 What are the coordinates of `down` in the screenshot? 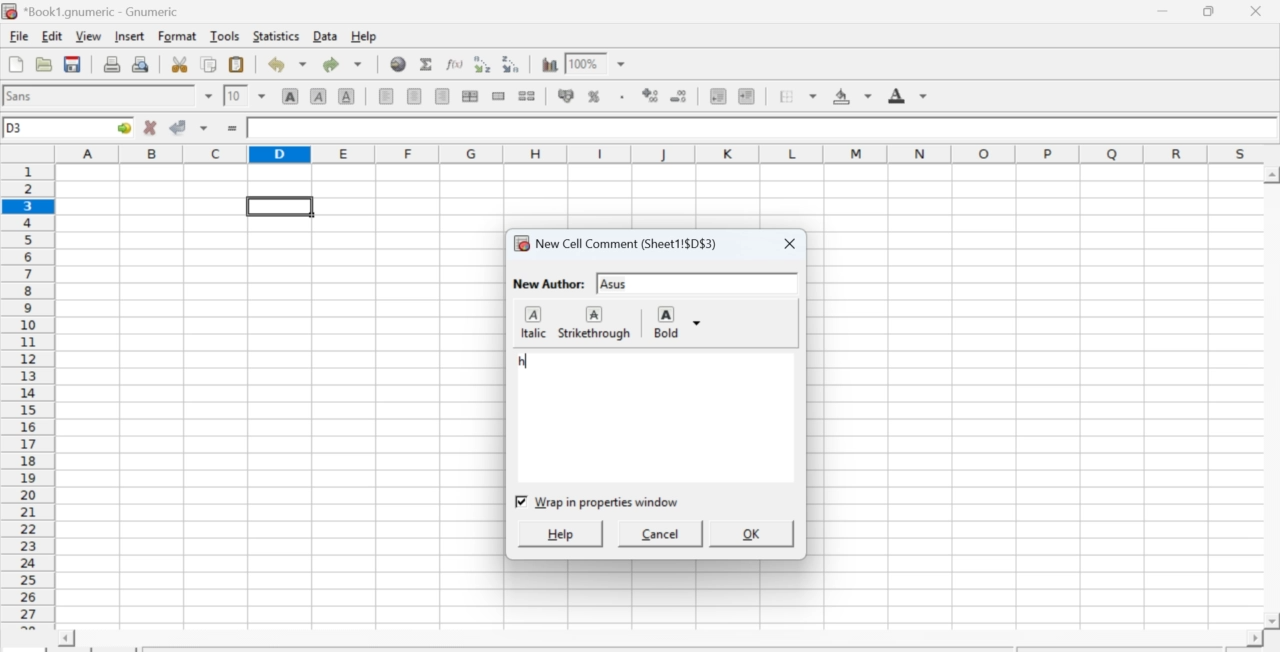 It's located at (207, 96).